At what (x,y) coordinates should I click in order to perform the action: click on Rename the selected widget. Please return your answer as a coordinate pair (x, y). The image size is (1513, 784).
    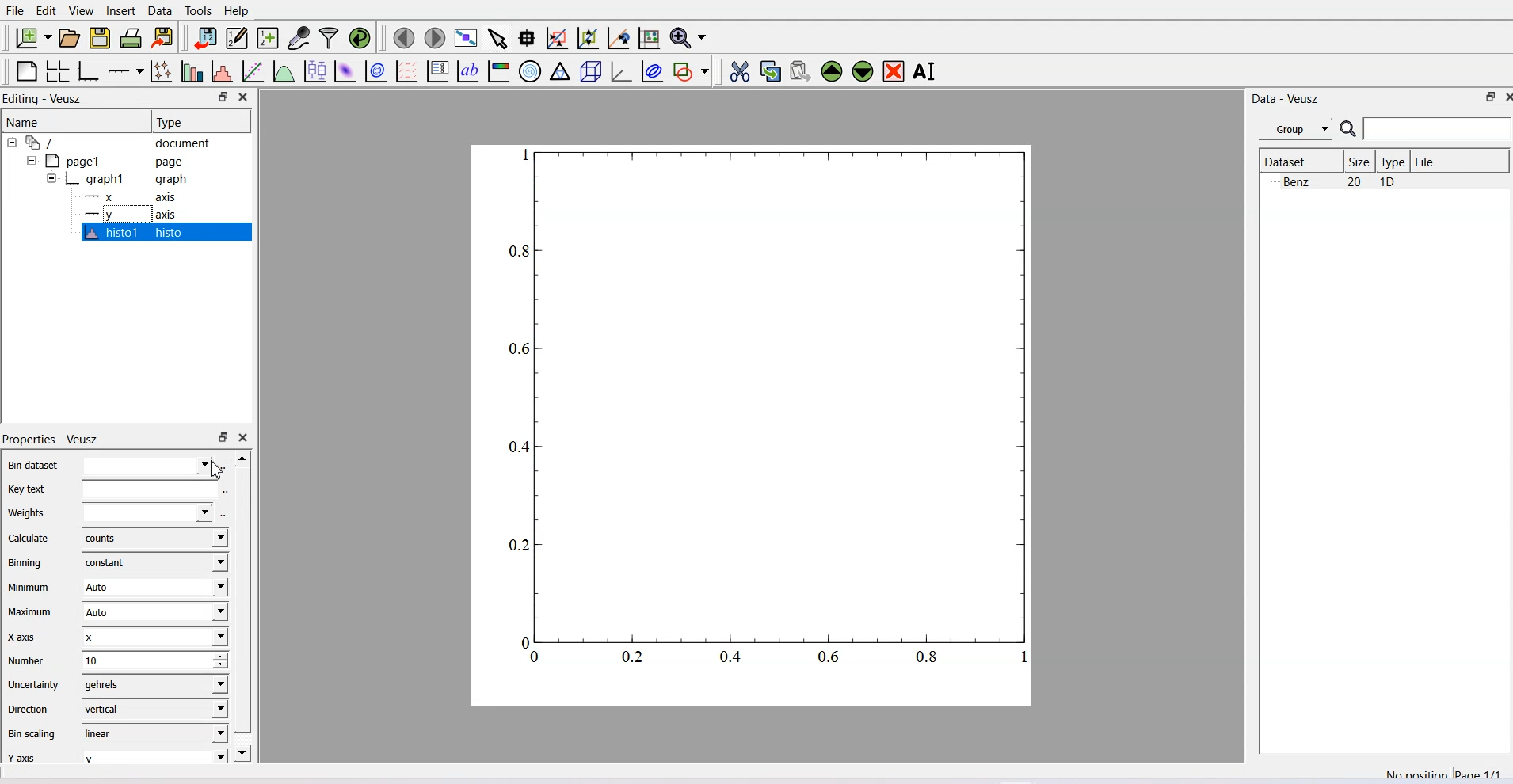
    Looking at the image, I should click on (925, 71).